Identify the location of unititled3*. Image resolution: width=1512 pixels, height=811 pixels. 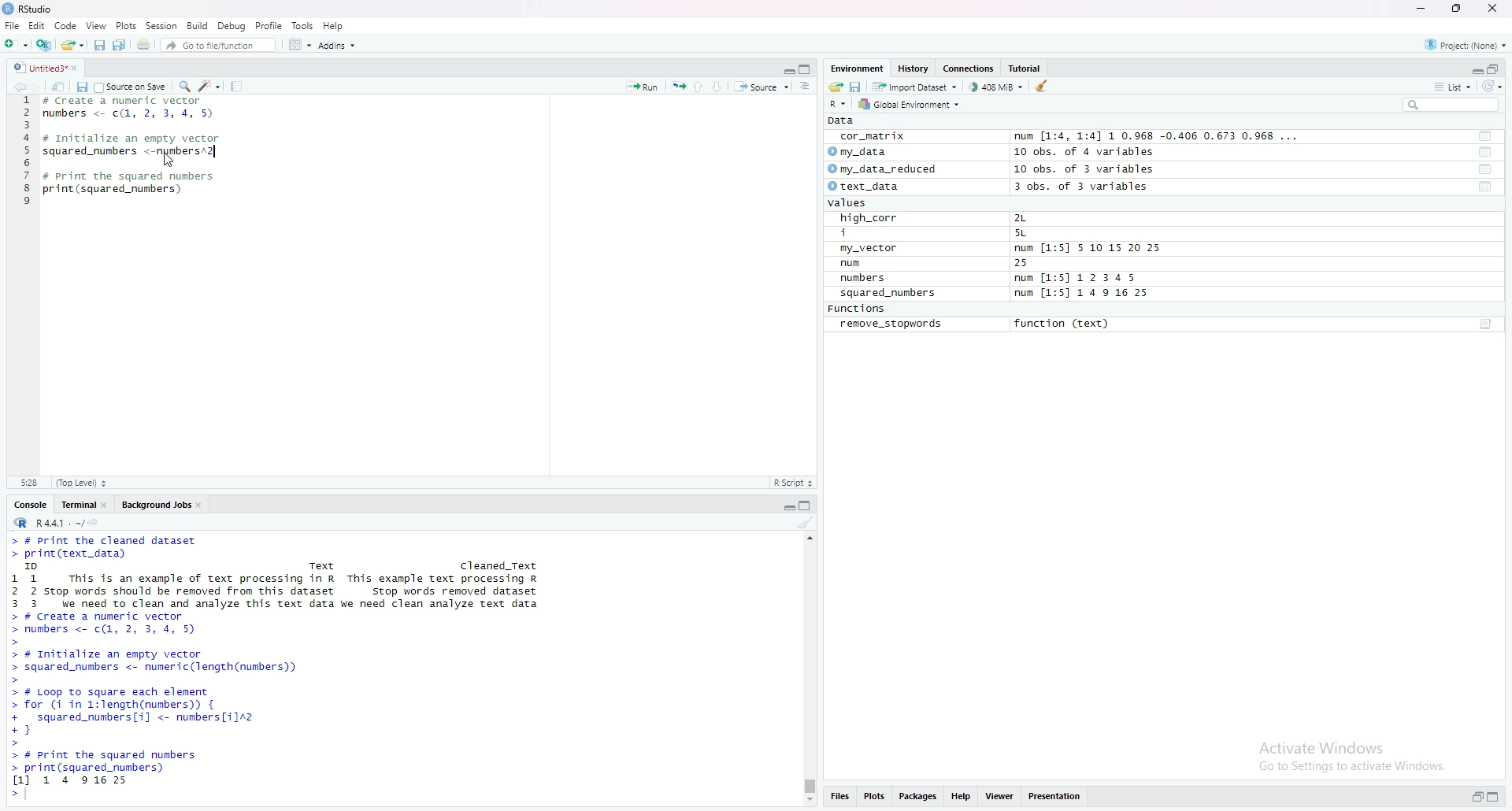
(37, 67).